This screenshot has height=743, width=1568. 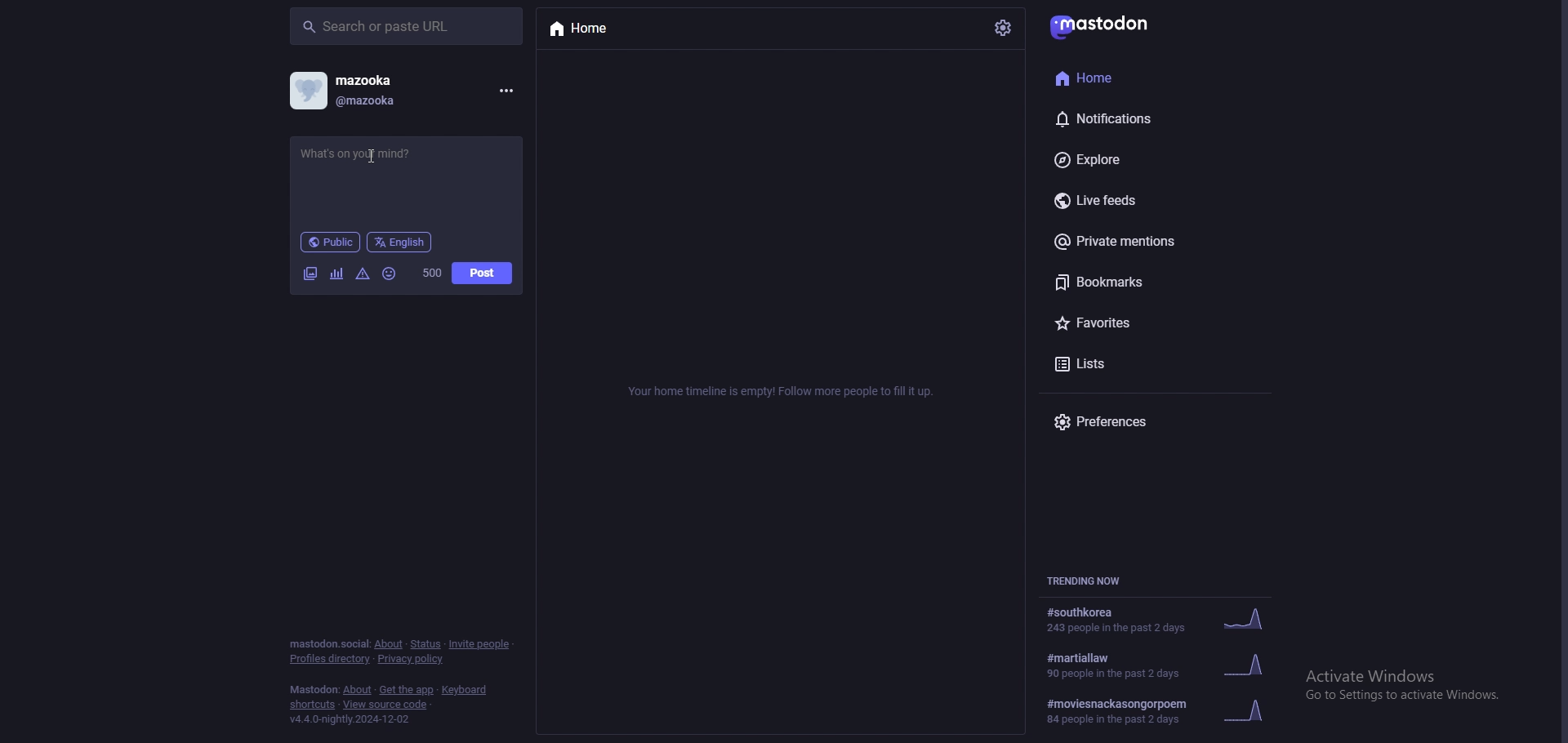 What do you see at coordinates (390, 274) in the screenshot?
I see `emoji` at bounding box center [390, 274].